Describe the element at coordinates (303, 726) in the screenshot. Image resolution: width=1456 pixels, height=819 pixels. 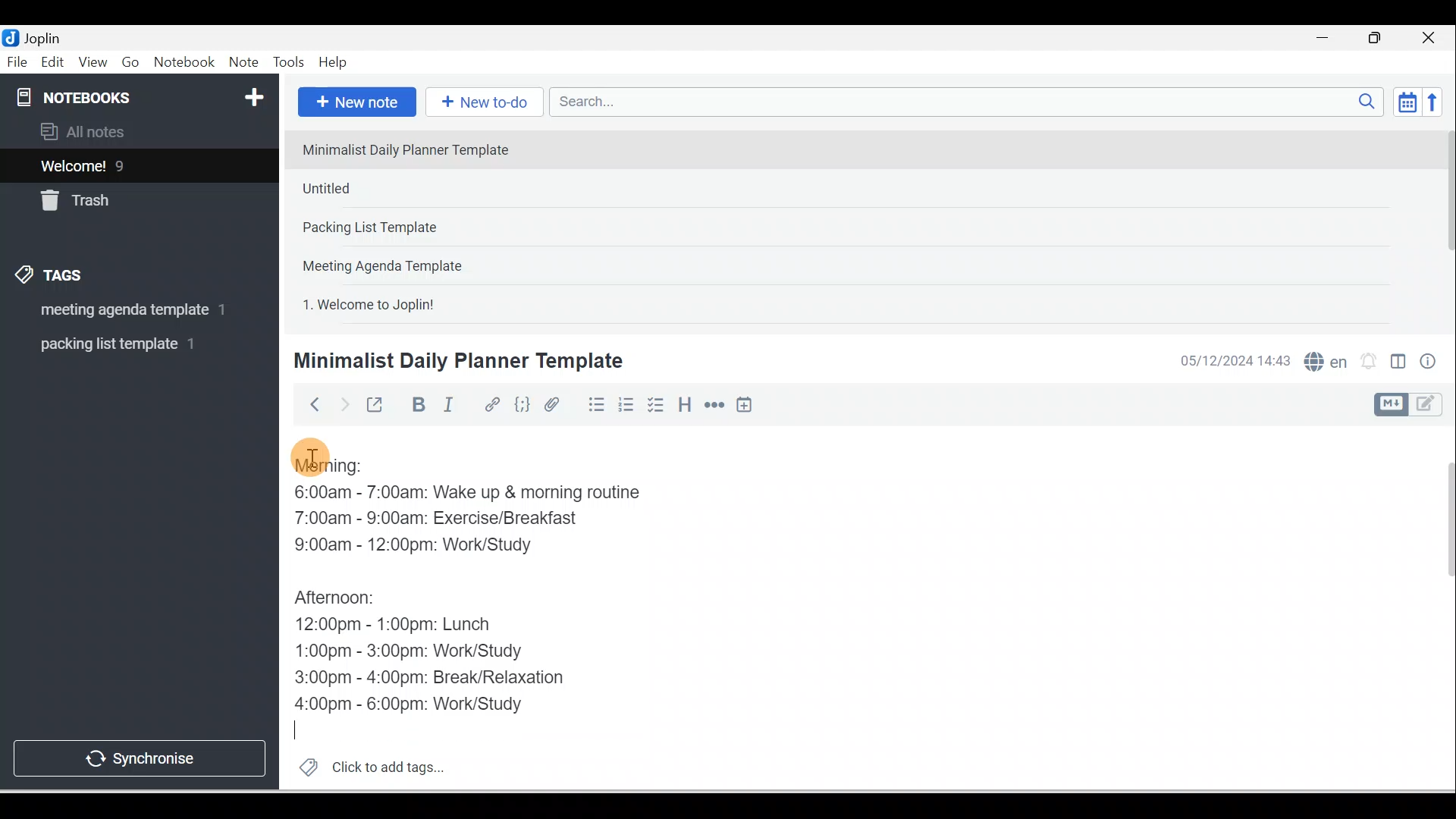
I see `Cursor` at that location.